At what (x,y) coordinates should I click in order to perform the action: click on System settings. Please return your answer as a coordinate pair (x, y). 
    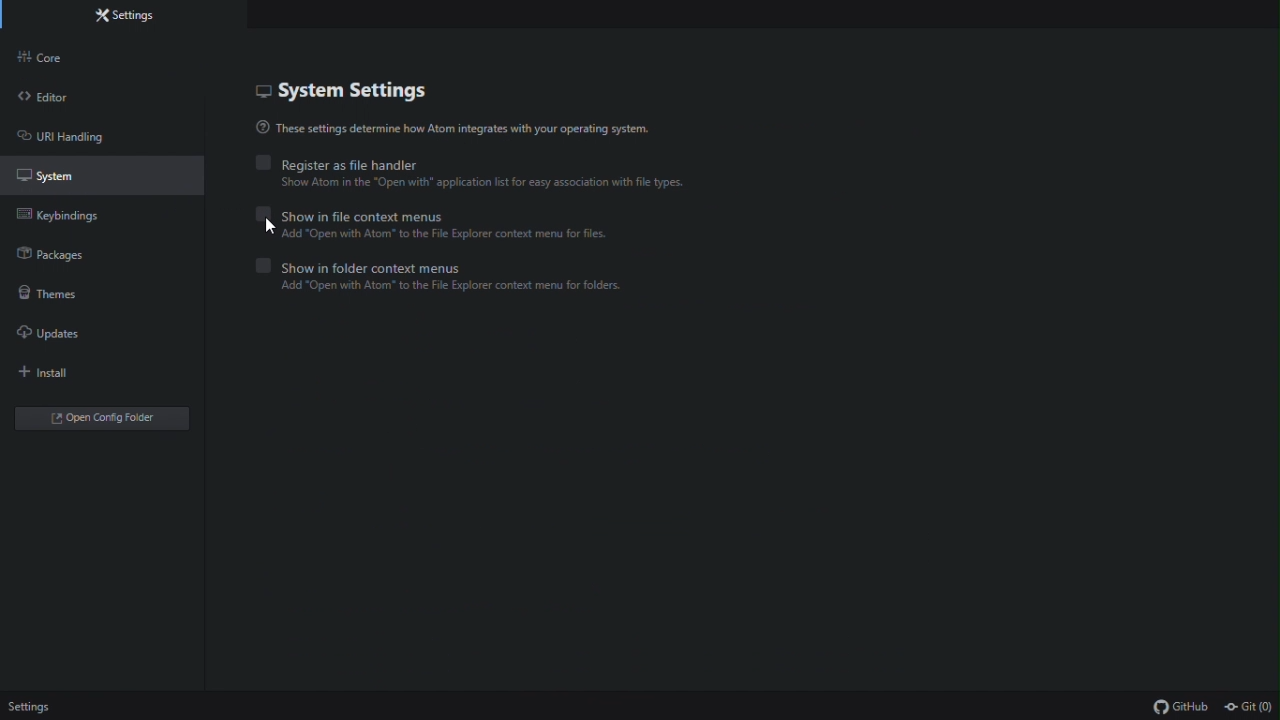
    Looking at the image, I should click on (374, 94).